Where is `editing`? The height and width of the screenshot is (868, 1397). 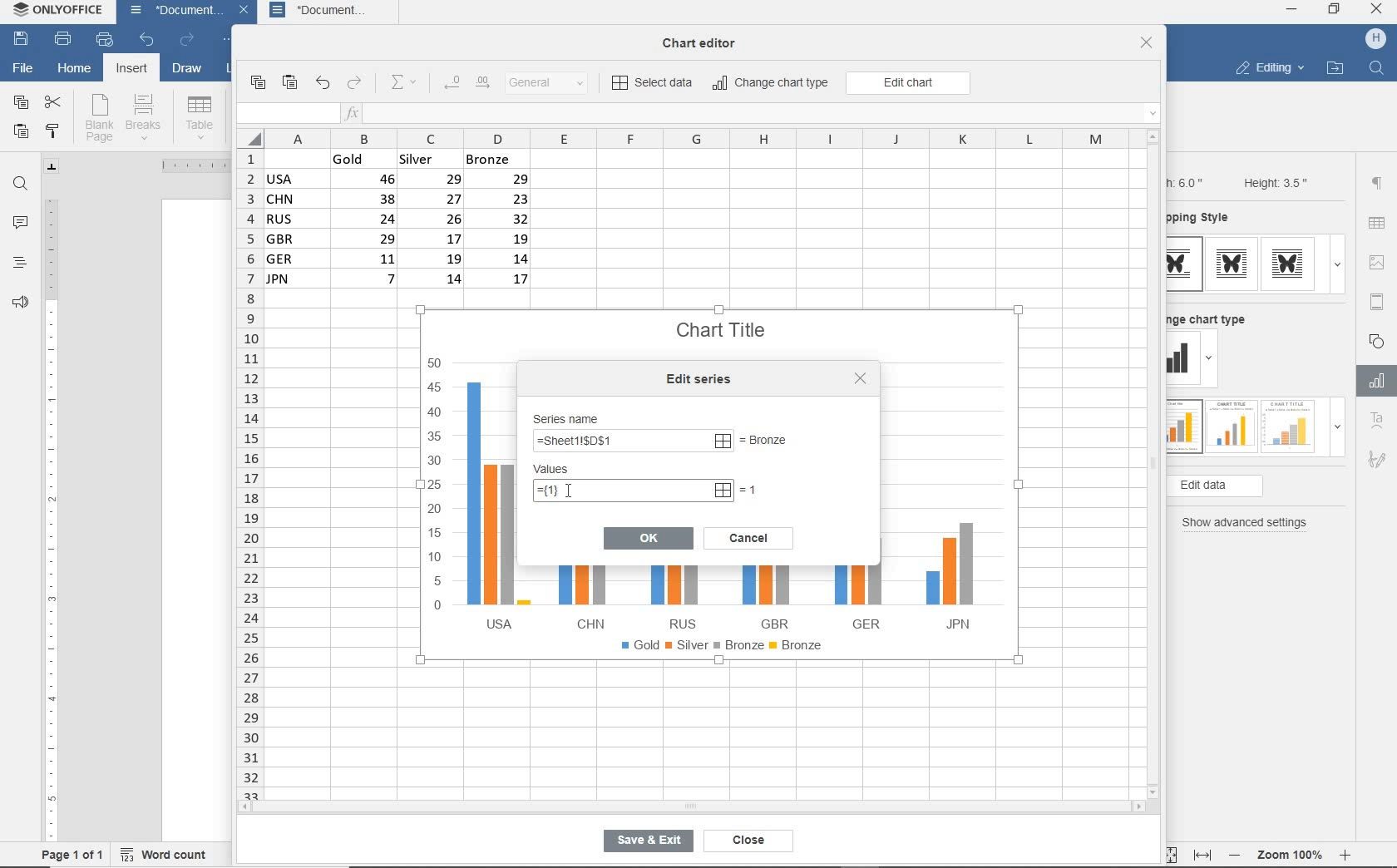
editing is located at coordinates (1269, 70).